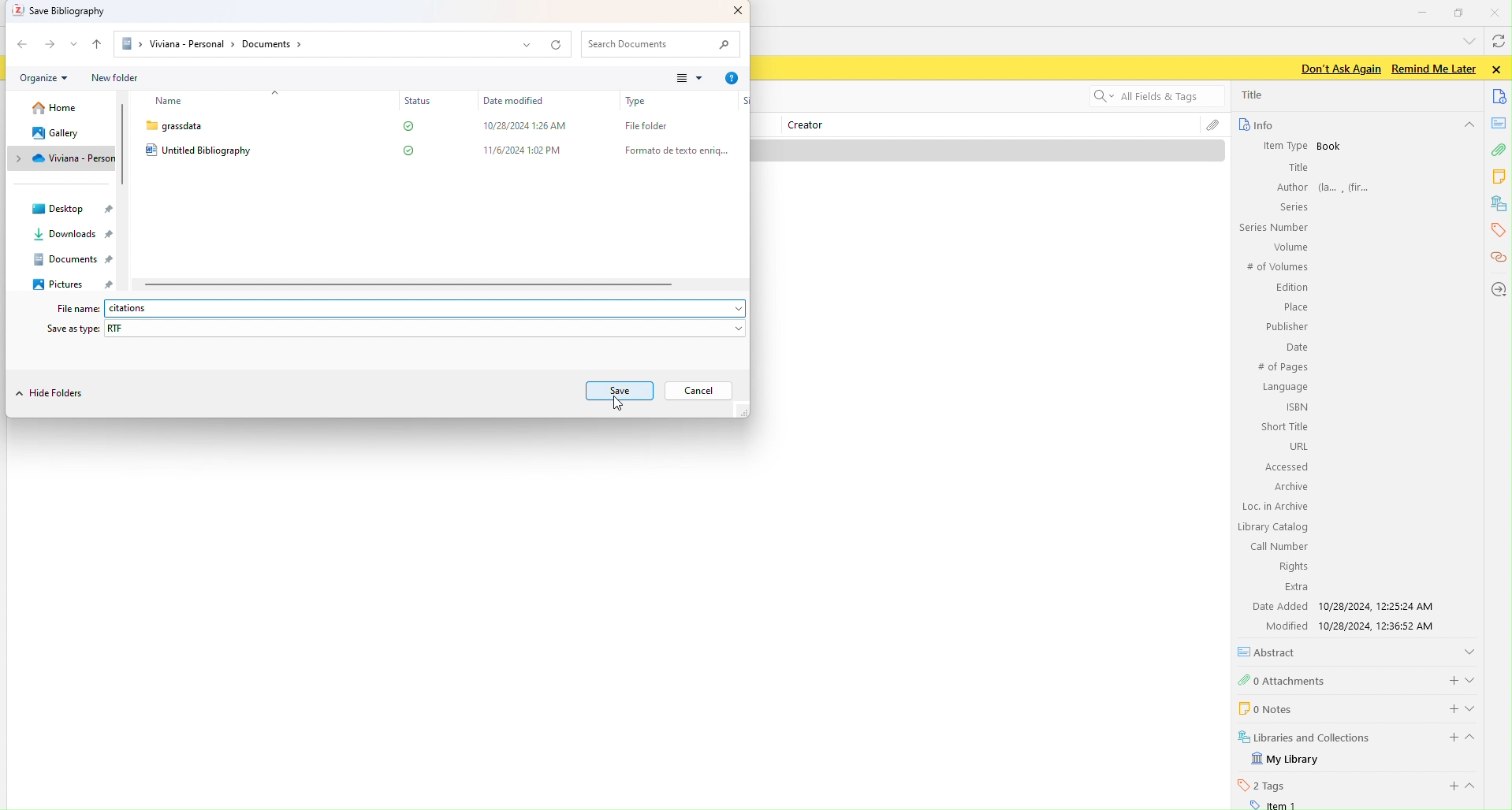 This screenshot has height=810, width=1512. I want to click on Help, so click(732, 79).